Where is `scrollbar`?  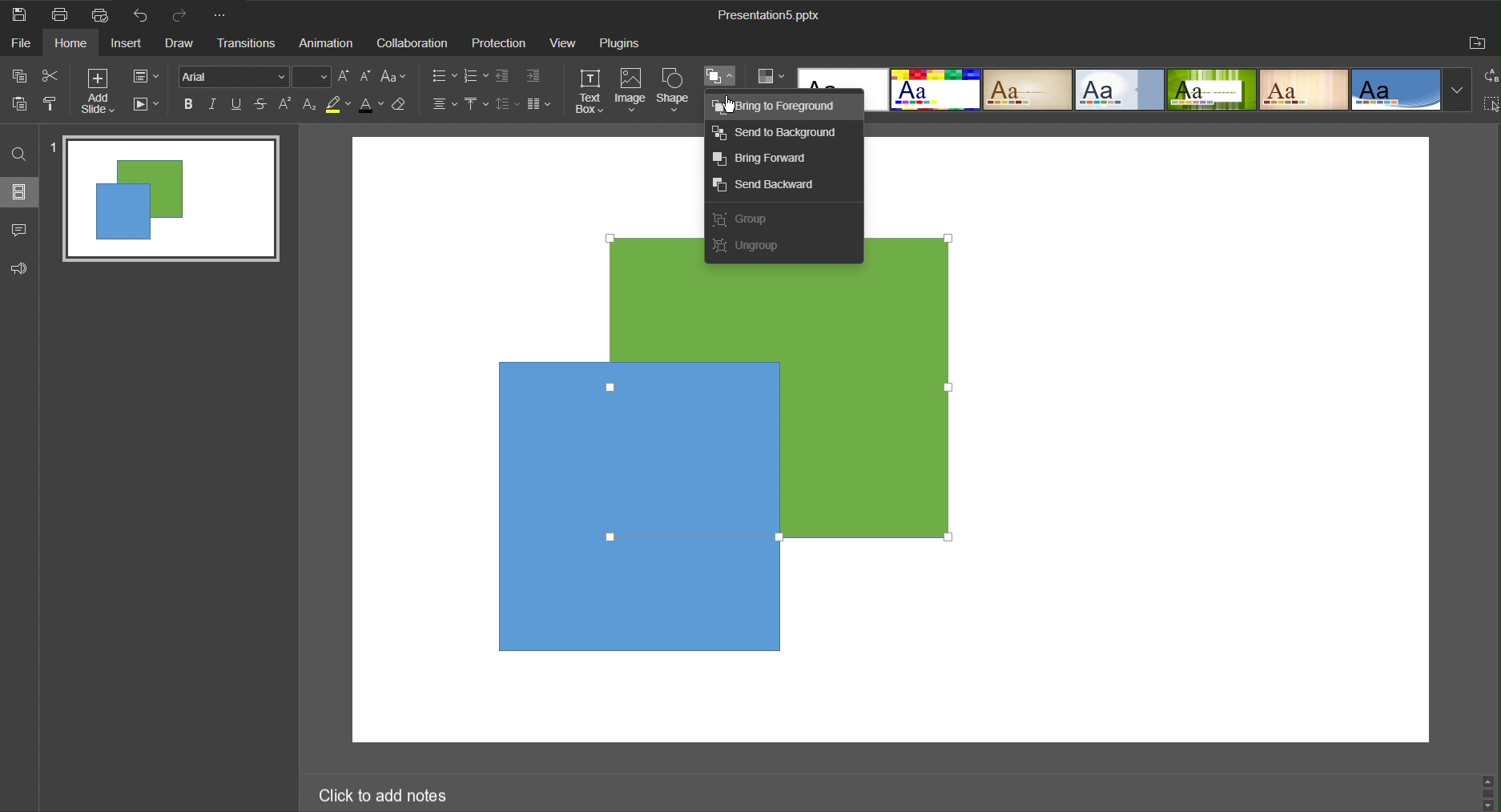 scrollbar is located at coordinates (1485, 790).